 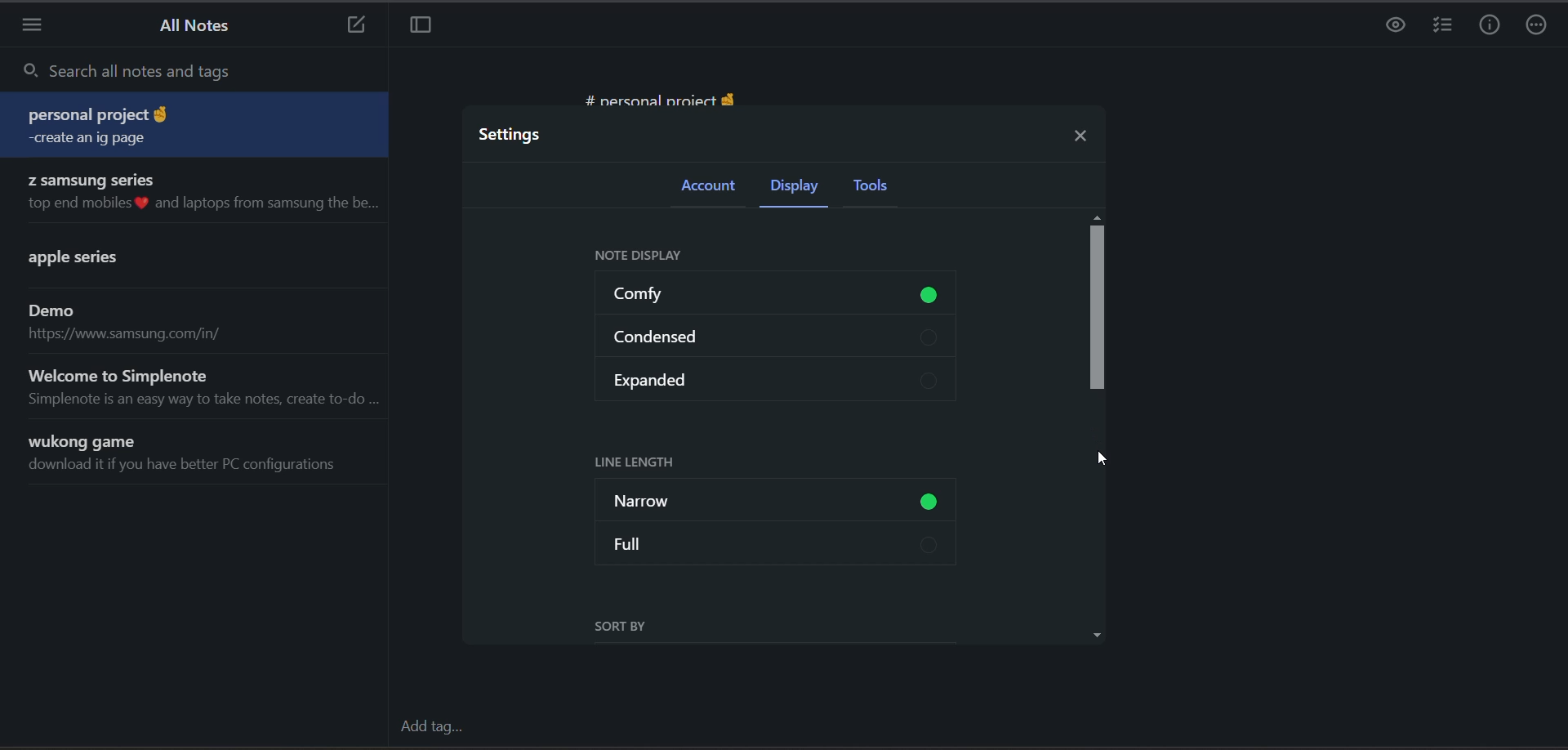 What do you see at coordinates (353, 25) in the screenshot?
I see `new note` at bounding box center [353, 25].